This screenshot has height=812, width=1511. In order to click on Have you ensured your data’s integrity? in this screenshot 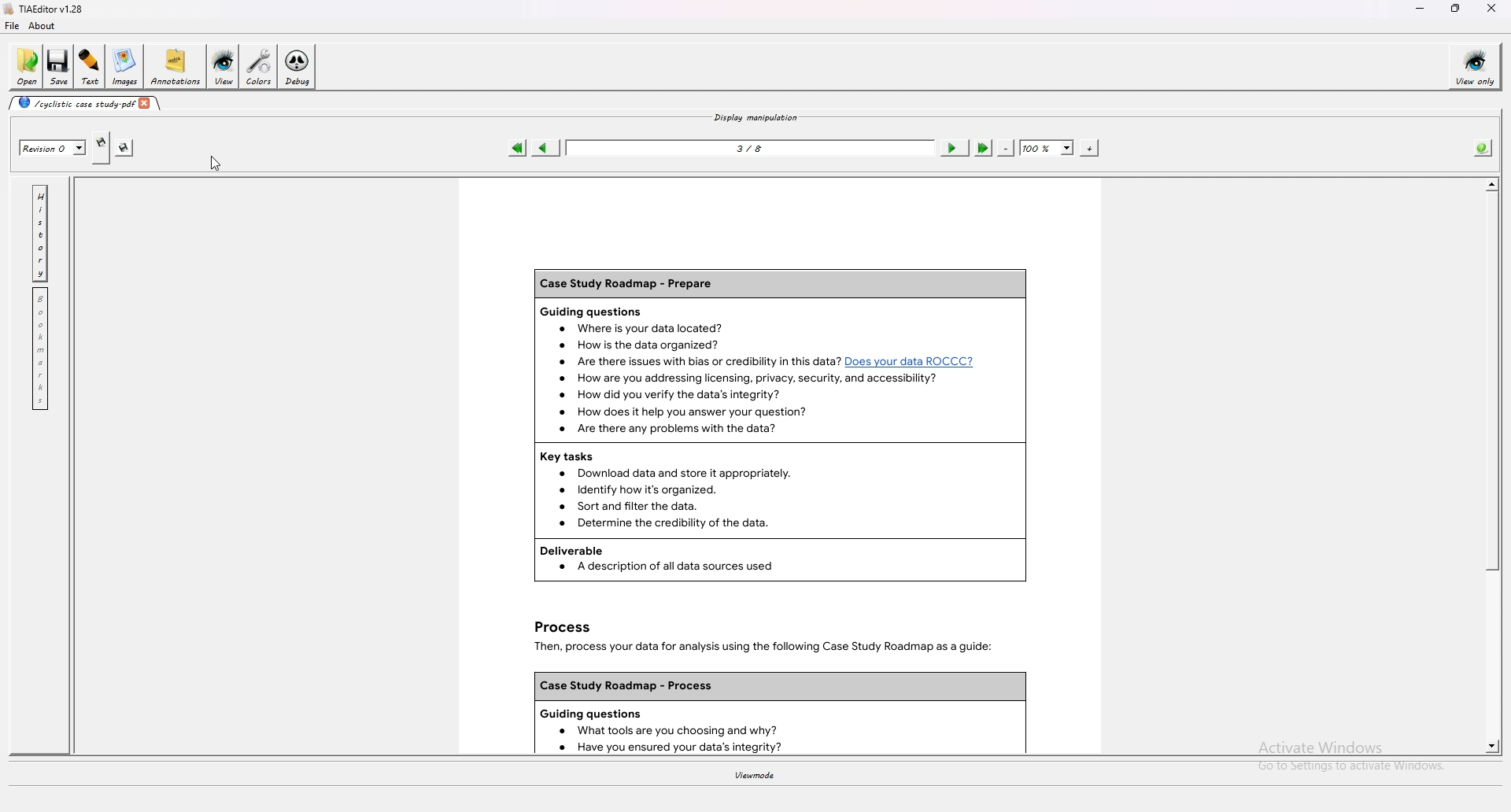, I will do `click(672, 747)`.